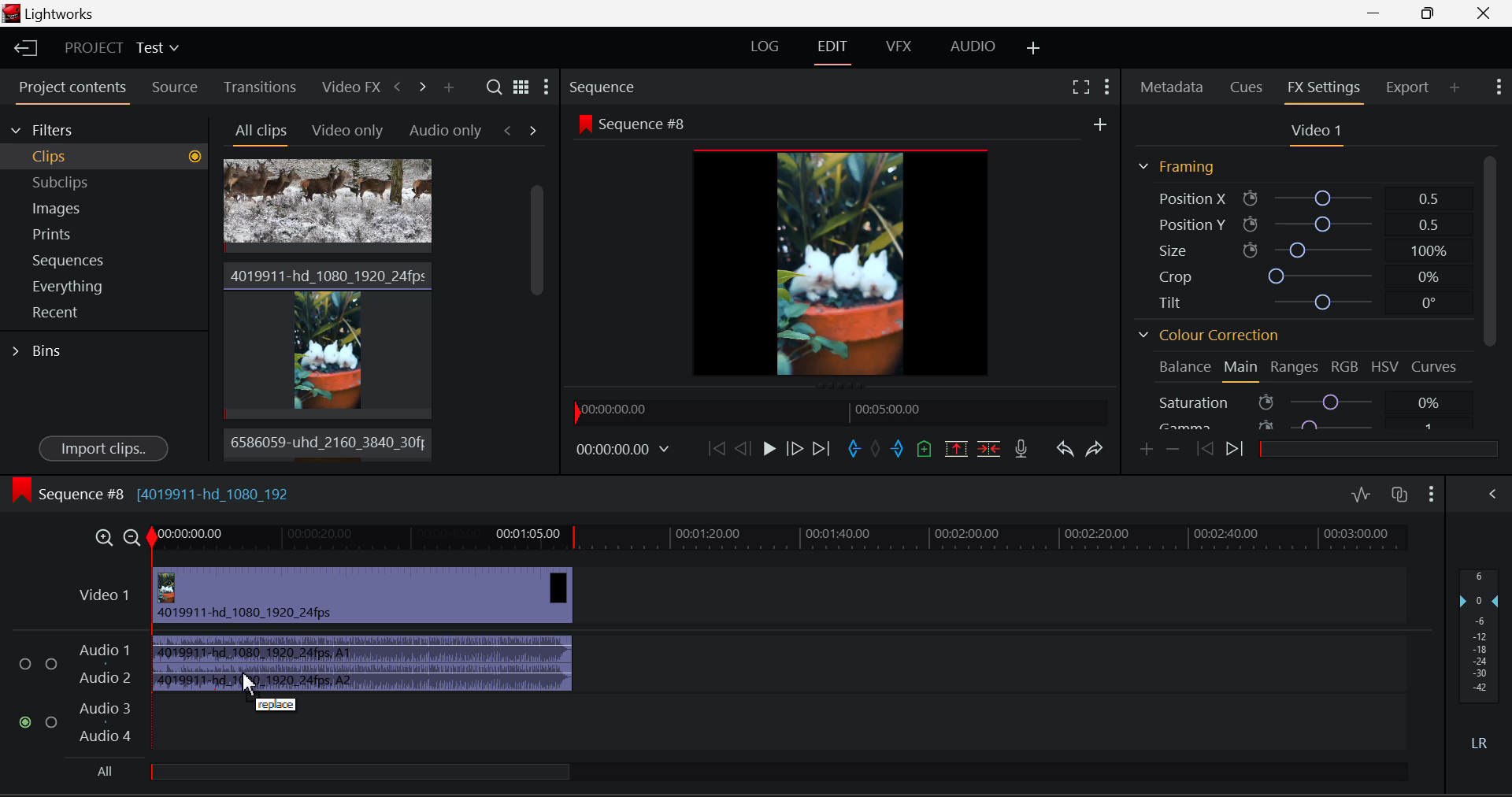 The image size is (1512, 797). What do you see at coordinates (363, 625) in the screenshot?
I see `Audio & Video Aligned after DRAG_TO` at bounding box center [363, 625].